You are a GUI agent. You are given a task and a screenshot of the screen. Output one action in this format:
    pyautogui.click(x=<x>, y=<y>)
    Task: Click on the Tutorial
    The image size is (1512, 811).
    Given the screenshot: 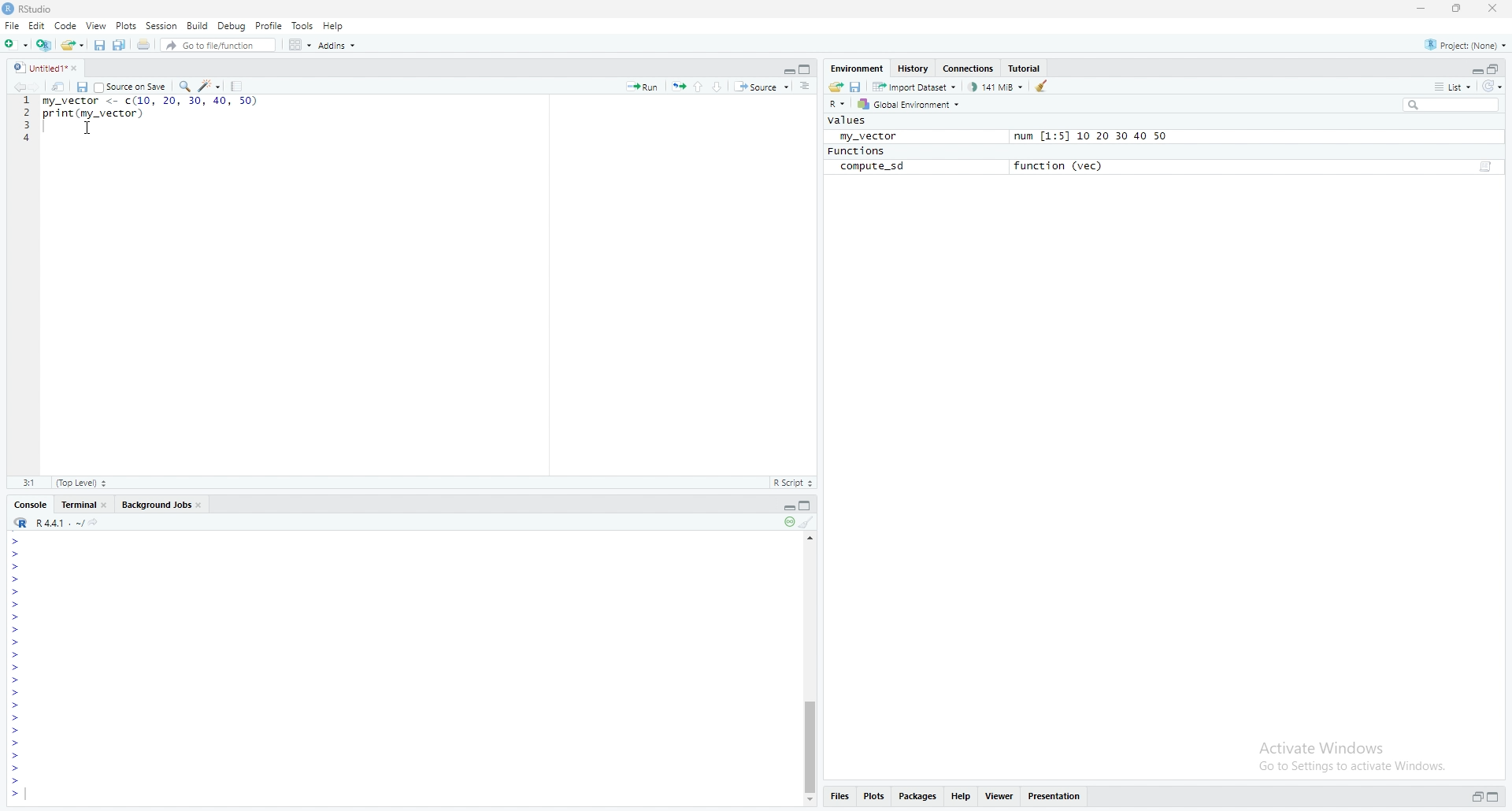 What is the action you would take?
    pyautogui.click(x=1026, y=67)
    